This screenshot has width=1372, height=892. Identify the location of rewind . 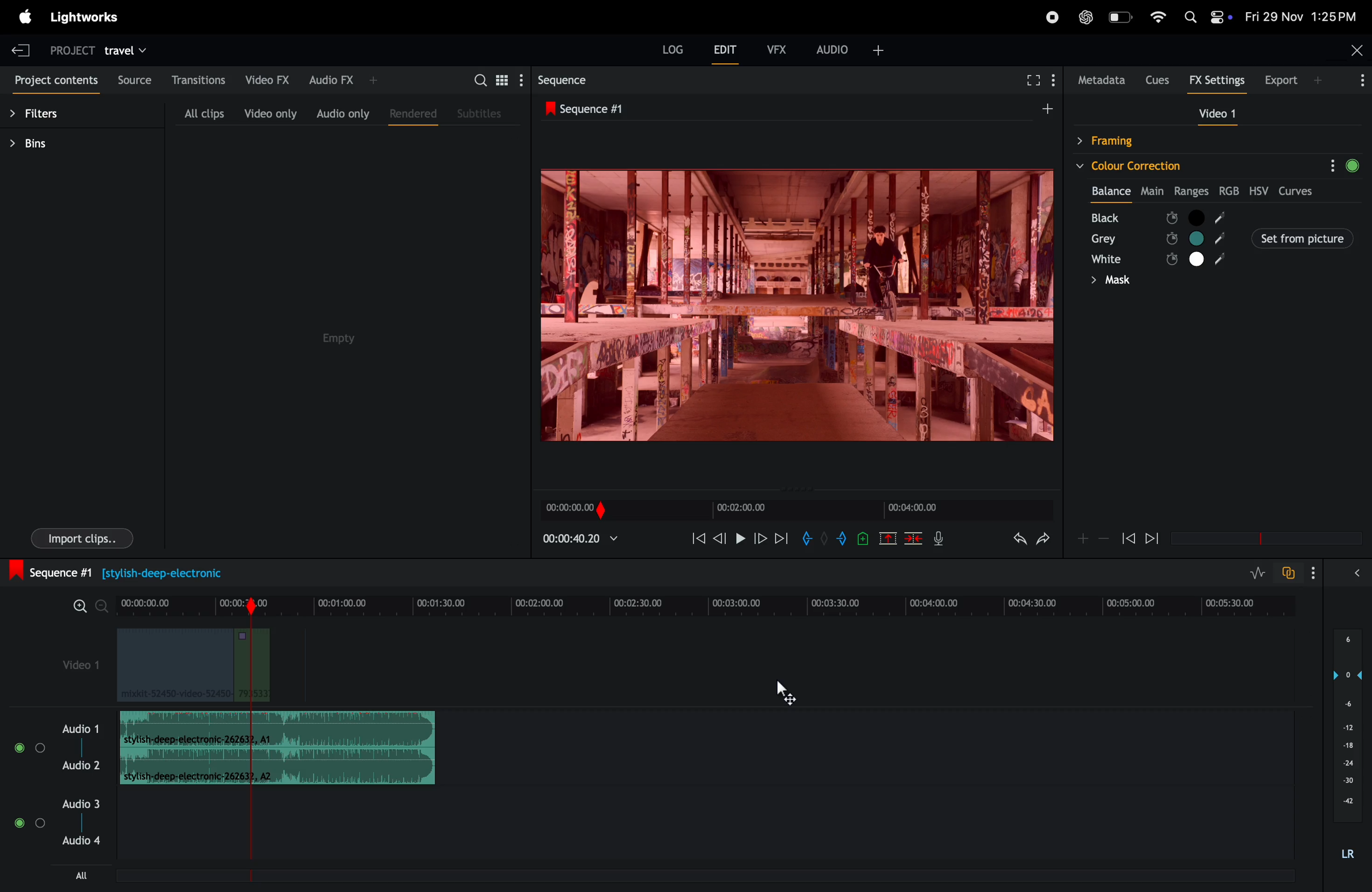
(698, 538).